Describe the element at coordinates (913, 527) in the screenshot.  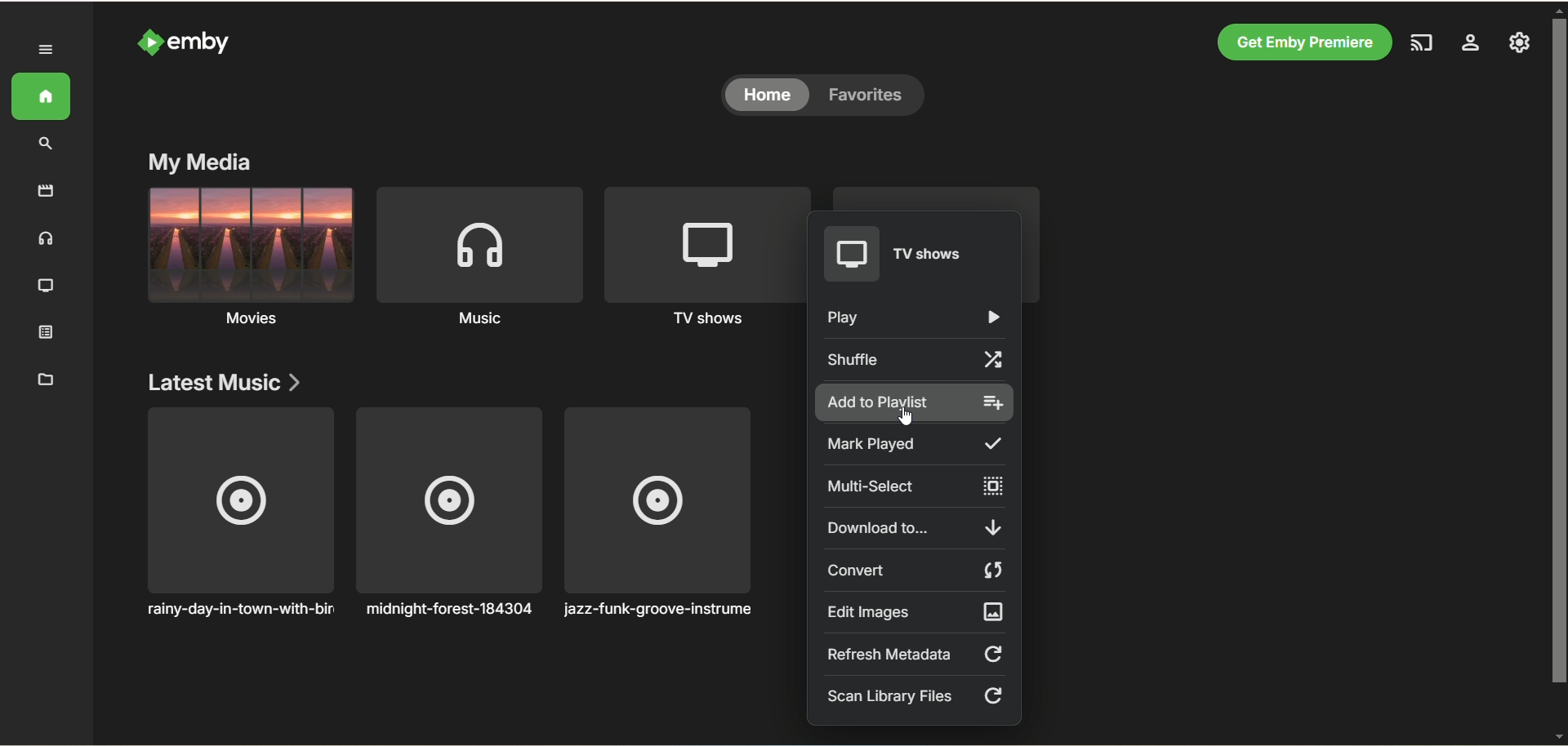
I see `download to` at that location.